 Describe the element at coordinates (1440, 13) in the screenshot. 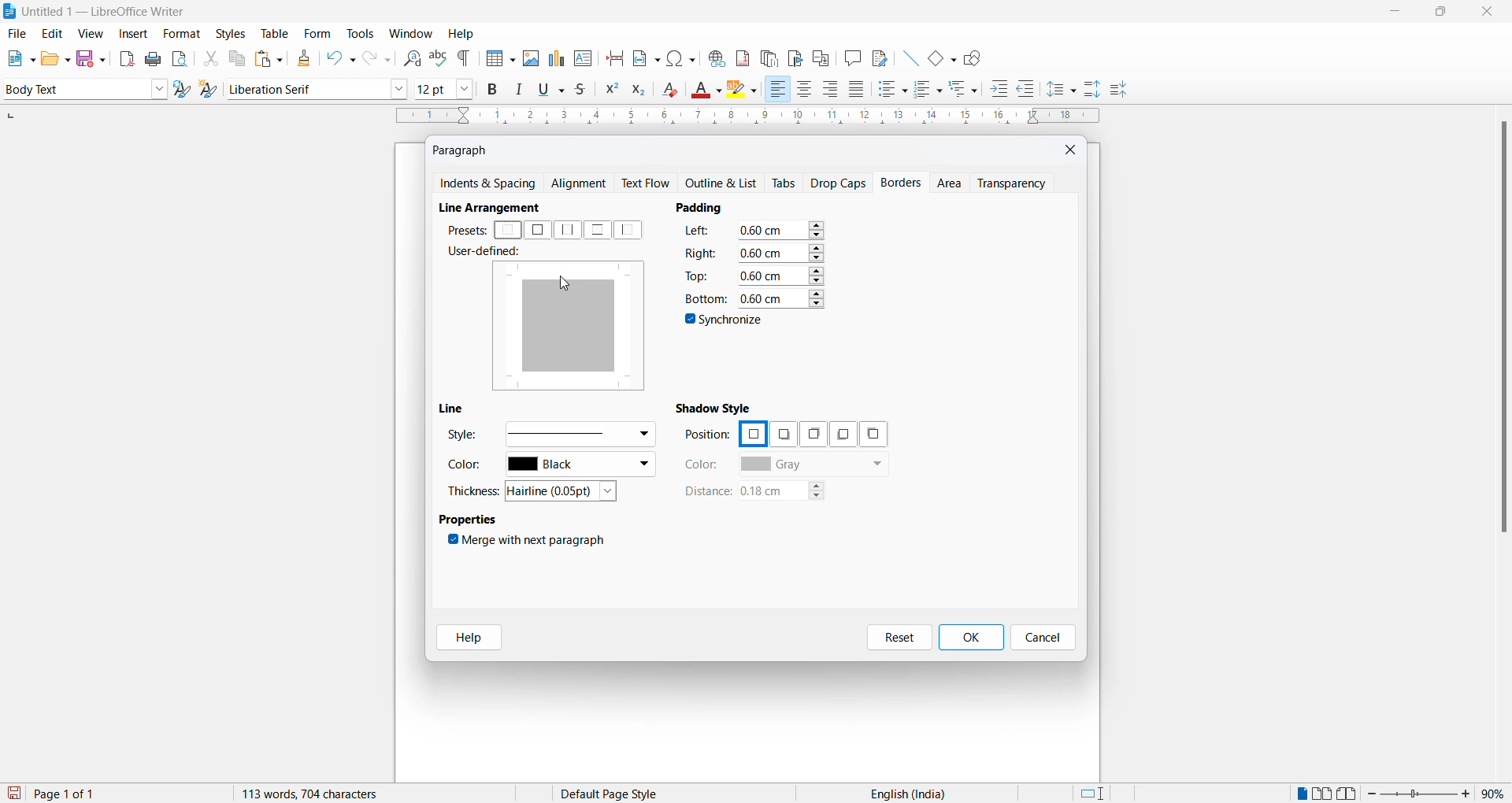

I see `maximize` at that location.